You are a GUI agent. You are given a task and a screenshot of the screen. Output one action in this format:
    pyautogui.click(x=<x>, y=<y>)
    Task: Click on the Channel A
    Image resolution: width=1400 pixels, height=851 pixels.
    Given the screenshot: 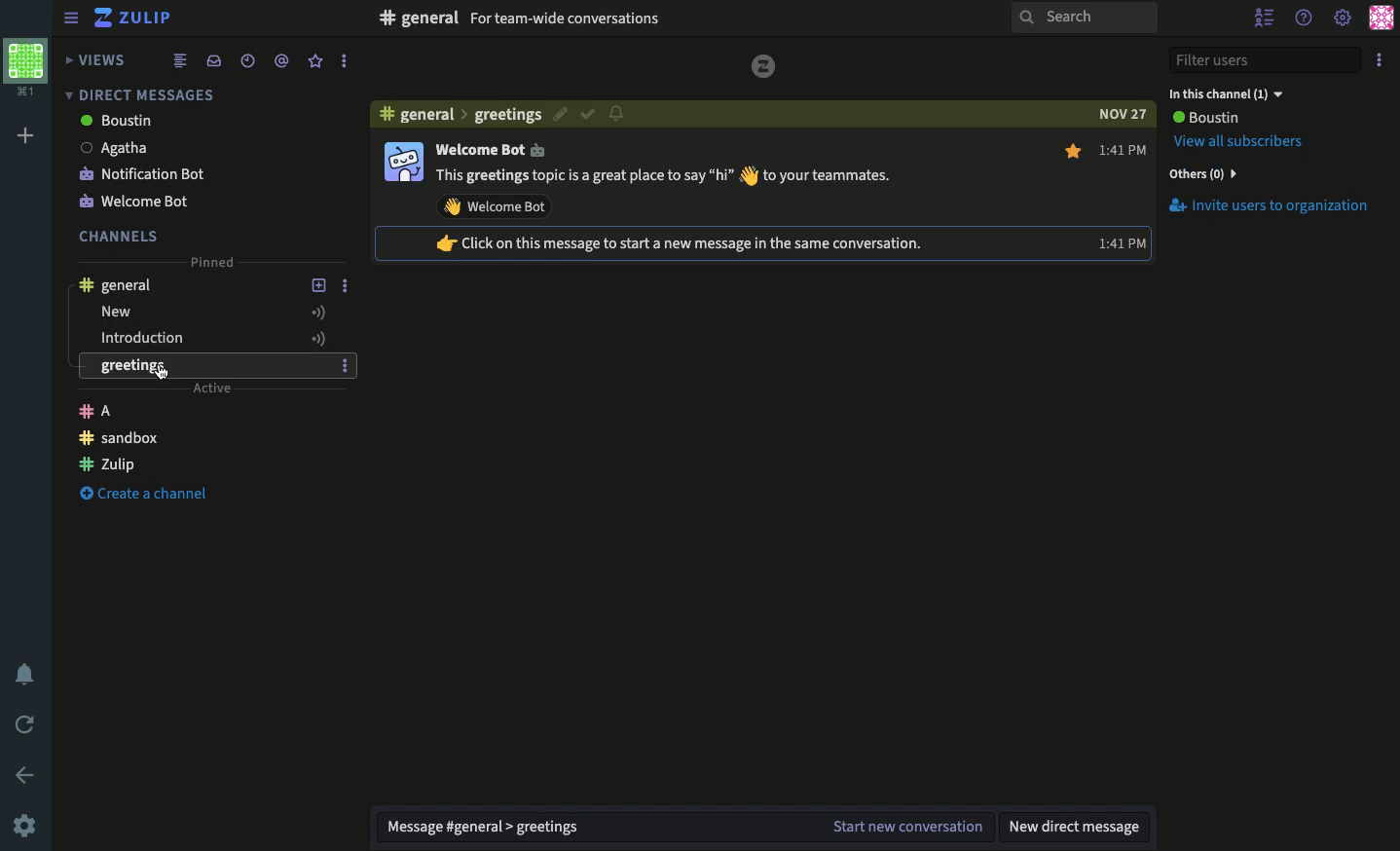 What is the action you would take?
    pyautogui.click(x=205, y=414)
    